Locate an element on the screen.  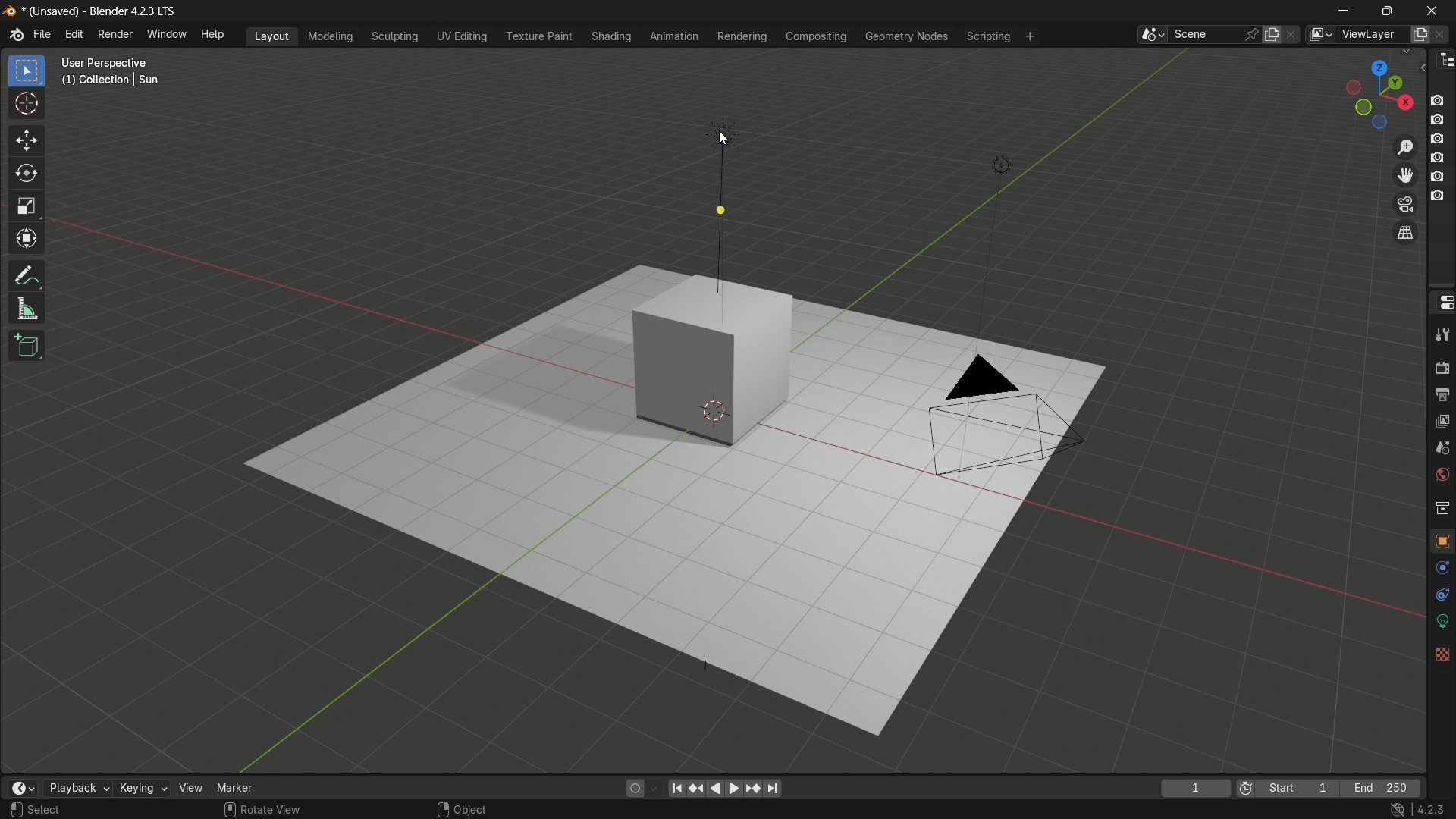
jump to keyframe is located at coordinates (698, 790).